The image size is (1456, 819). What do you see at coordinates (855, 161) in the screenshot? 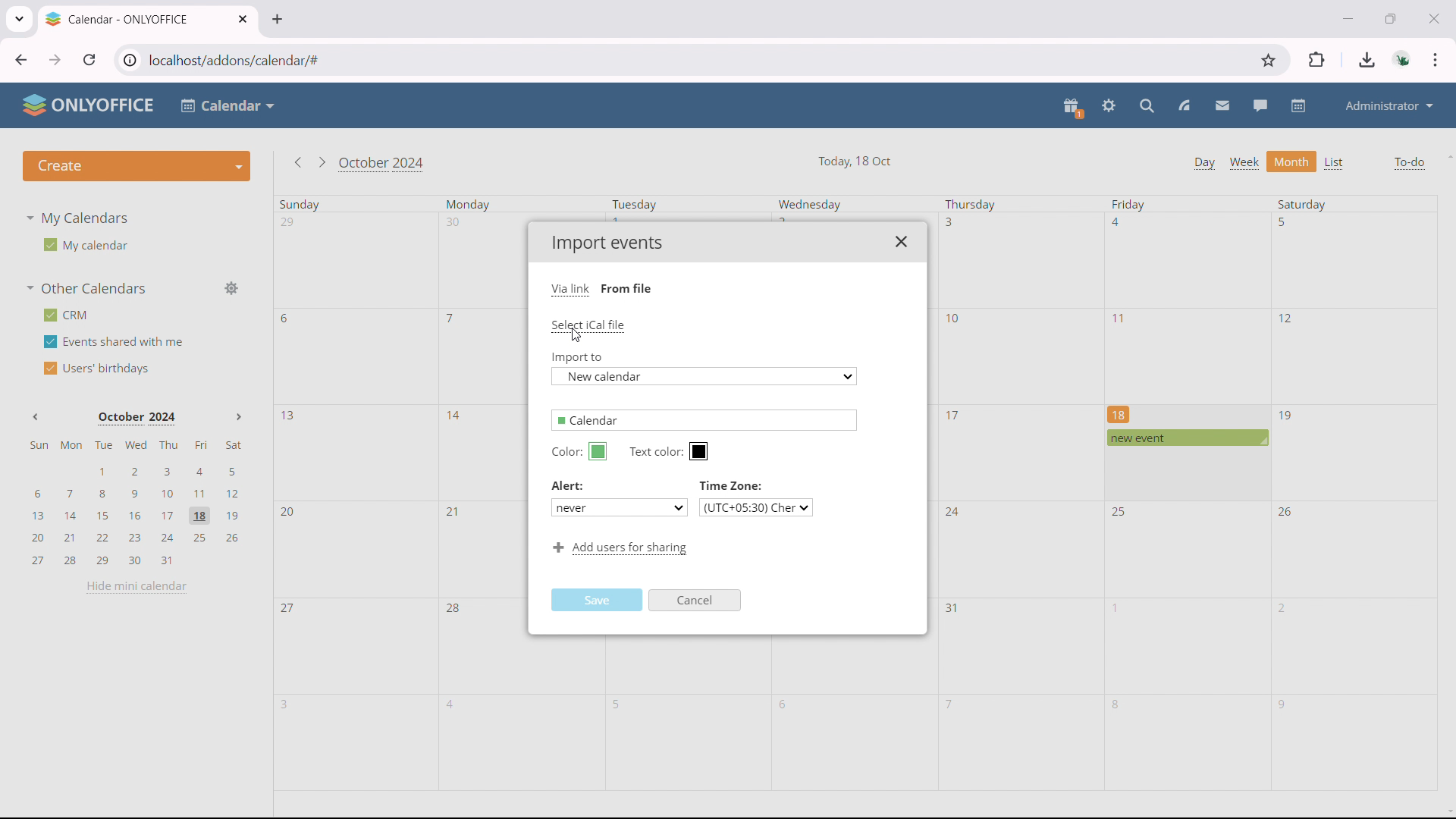
I see `Today, 18 Oct` at bounding box center [855, 161].